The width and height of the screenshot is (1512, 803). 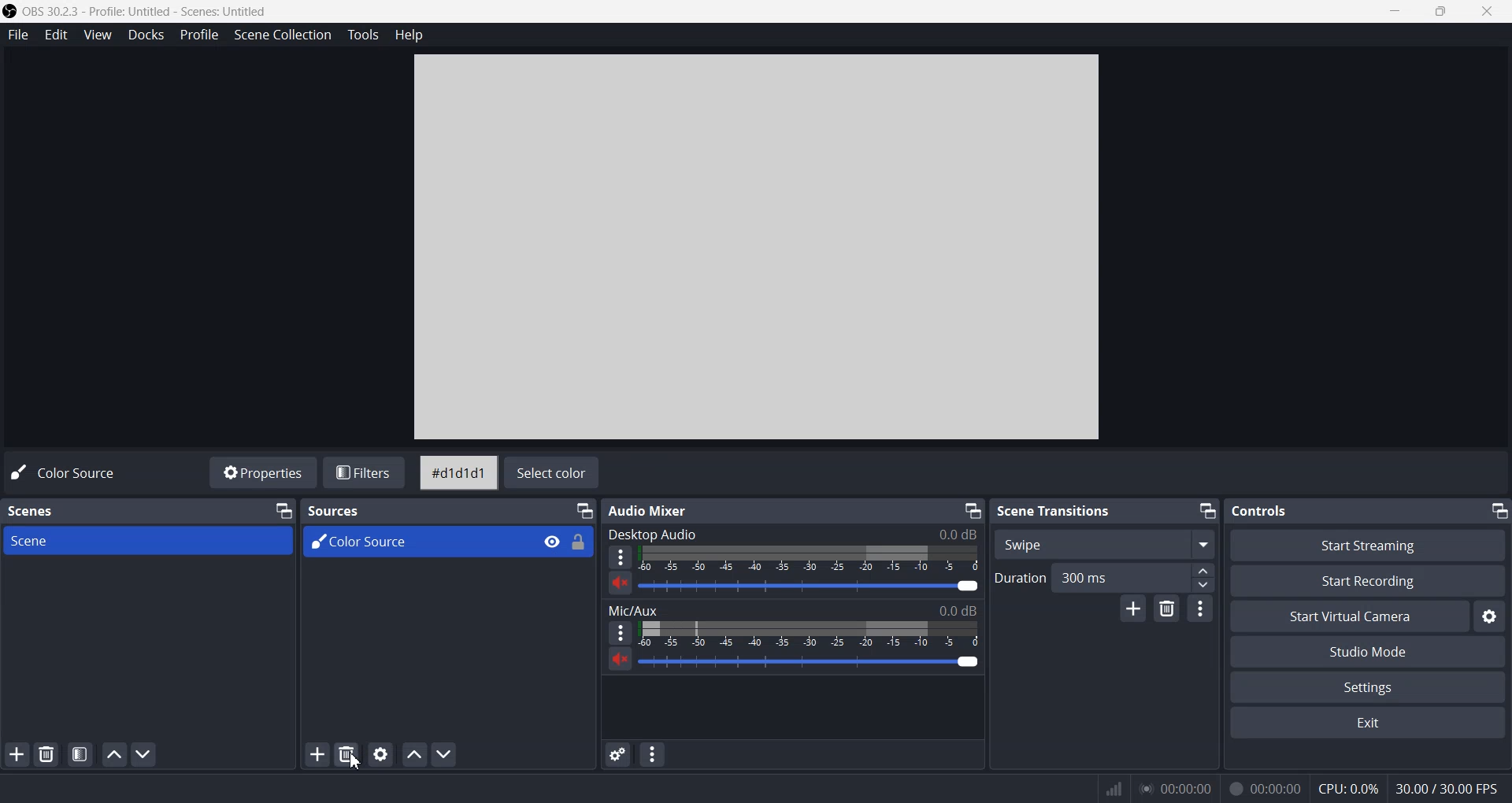 I want to click on Volume Adjuster, so click(x=810, y=634).